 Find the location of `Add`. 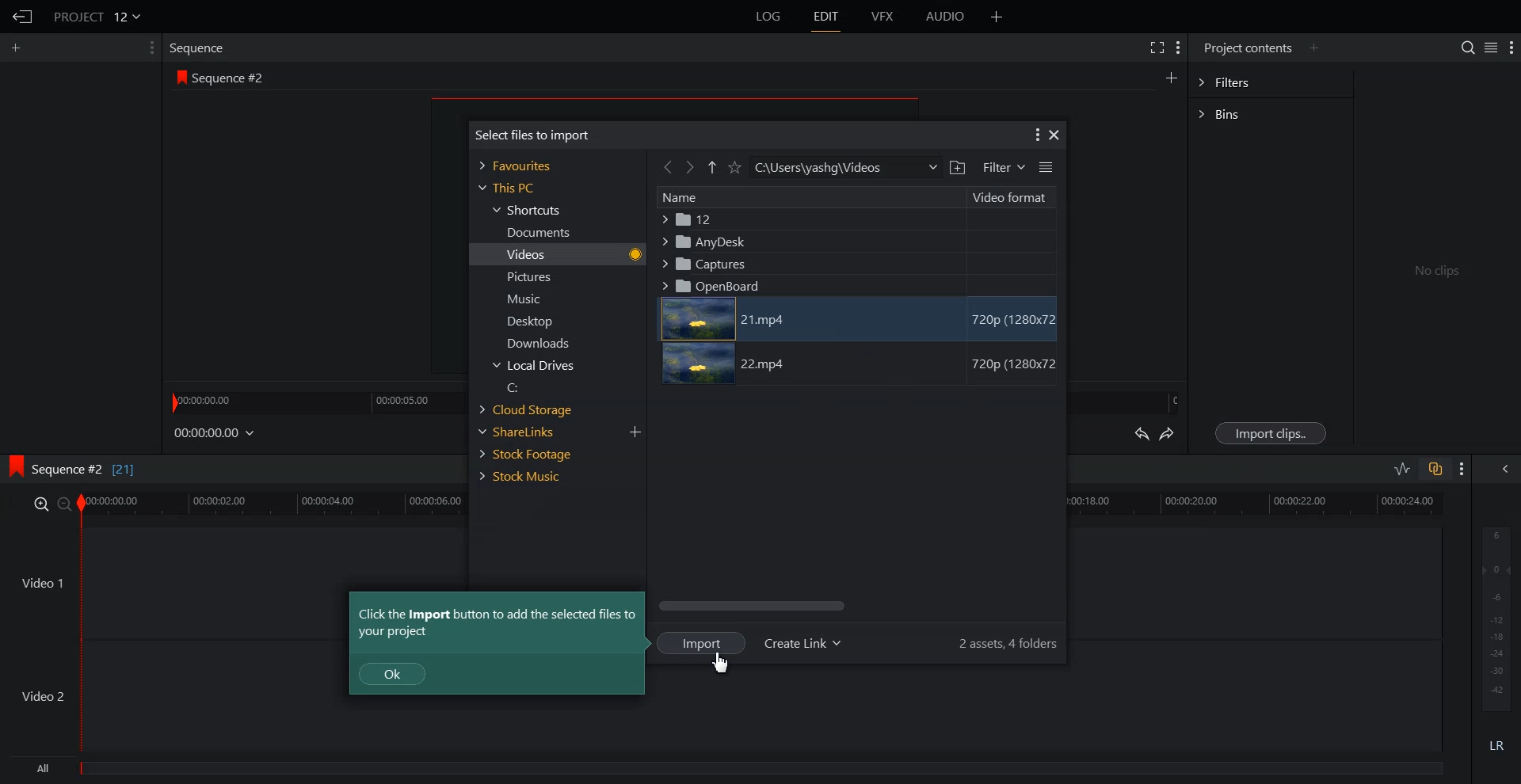

Add is located at coordinates (635, 432).